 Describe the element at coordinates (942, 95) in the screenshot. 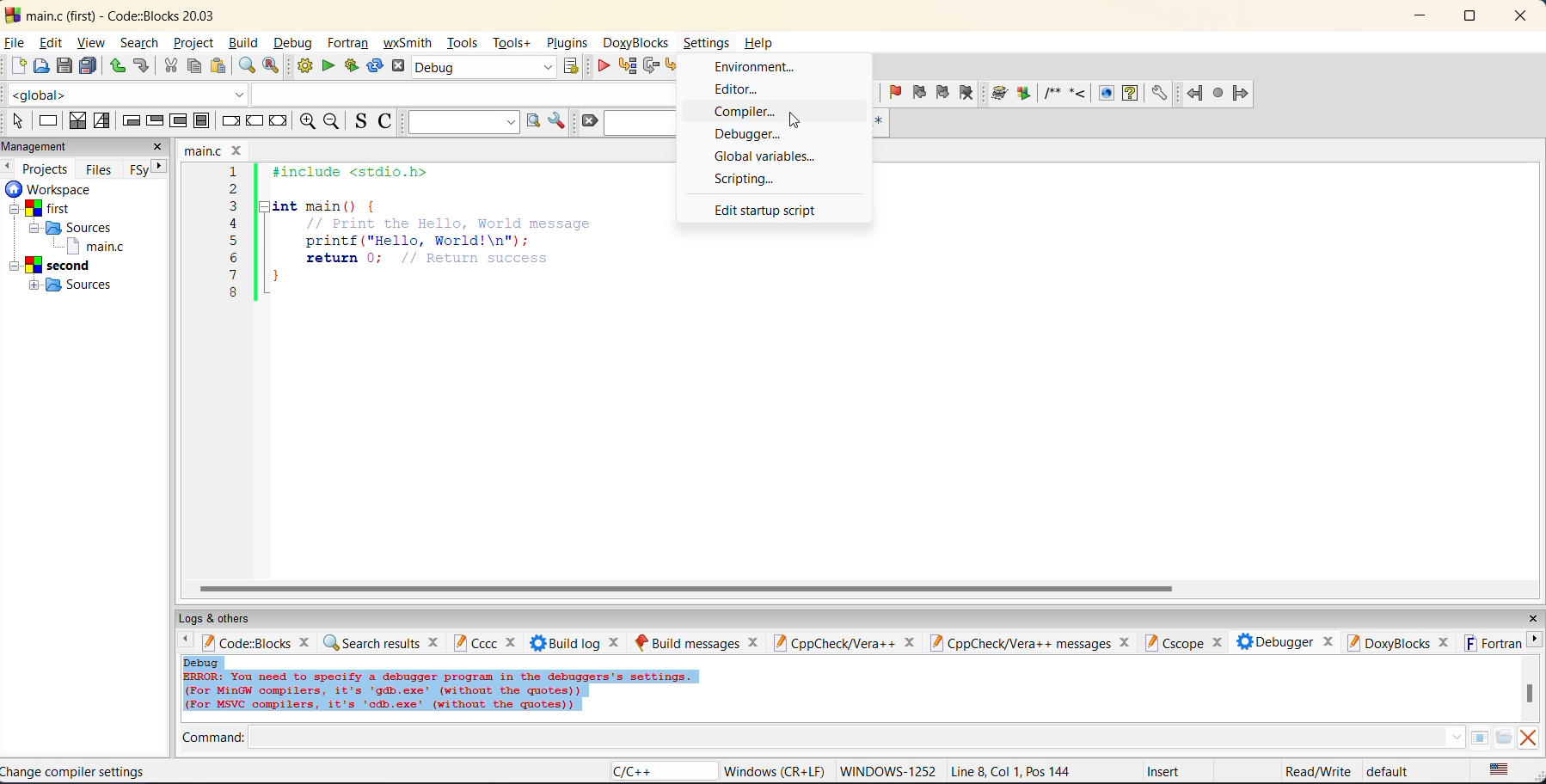

I see `next bookmark` at that location.